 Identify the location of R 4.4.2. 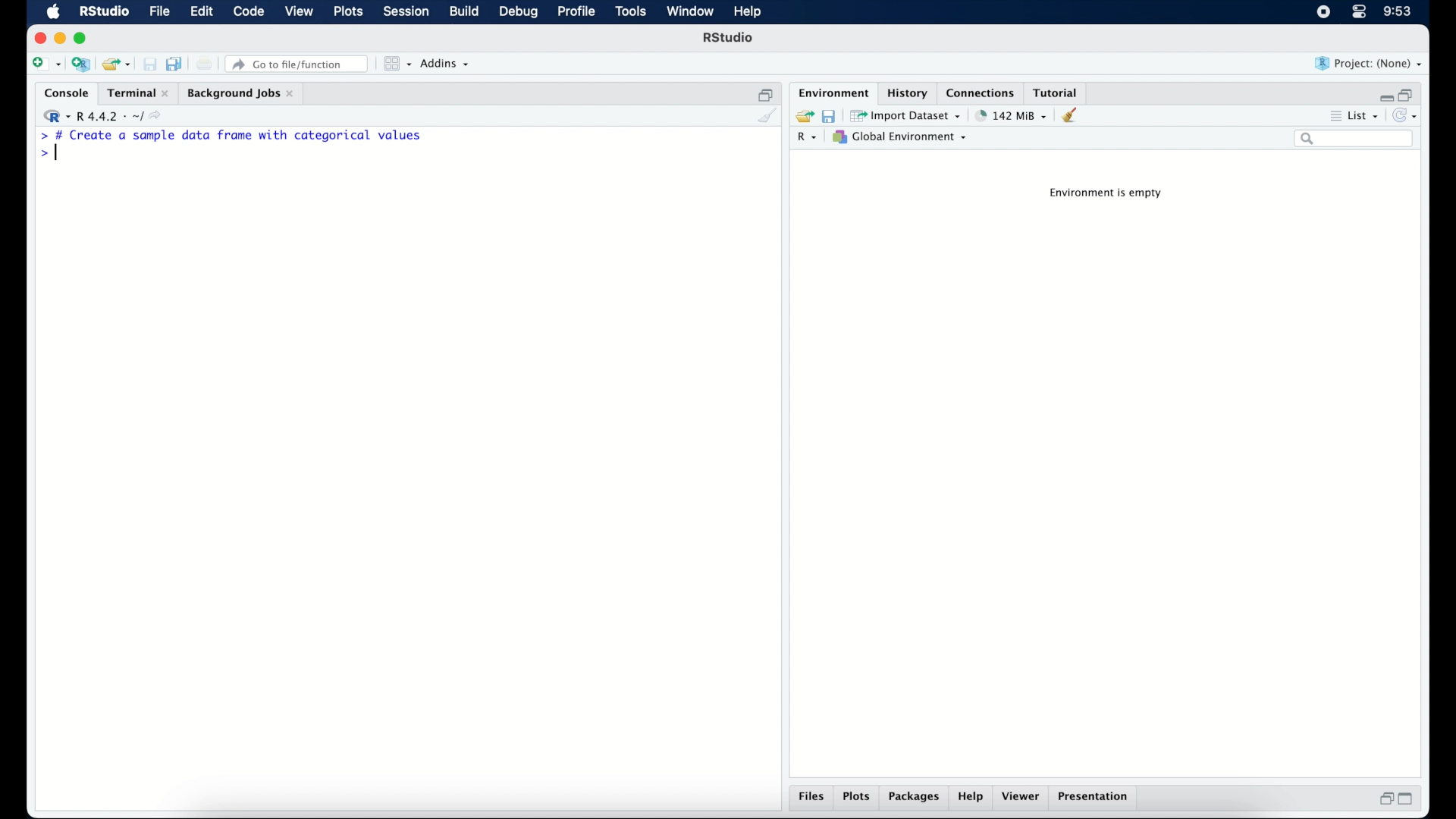
(102, 114).